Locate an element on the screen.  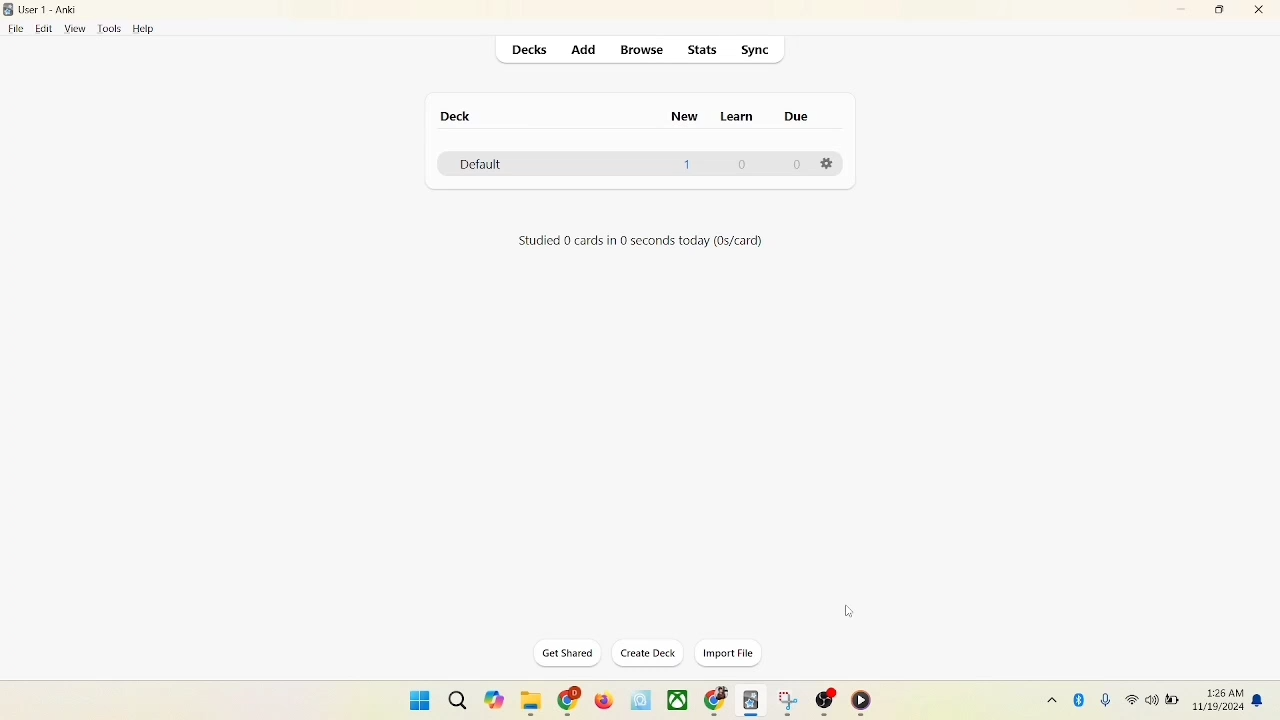
add is located at coordinates (582, 49).